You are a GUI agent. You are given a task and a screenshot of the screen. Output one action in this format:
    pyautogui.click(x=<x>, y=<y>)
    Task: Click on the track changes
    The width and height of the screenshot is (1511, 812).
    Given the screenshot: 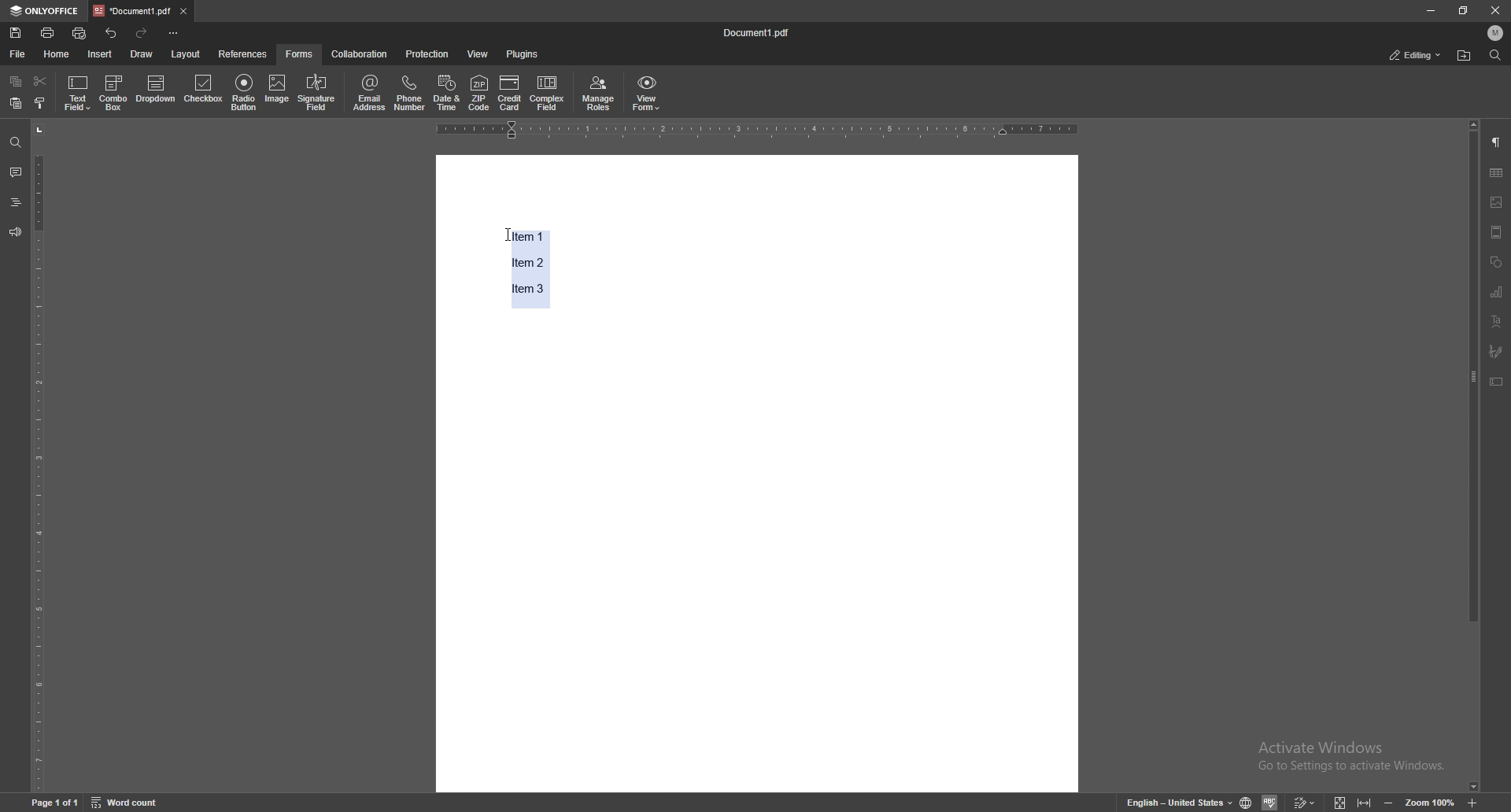 What is the action you would take?
    pyautogui.click(x=1304, y=801)
    